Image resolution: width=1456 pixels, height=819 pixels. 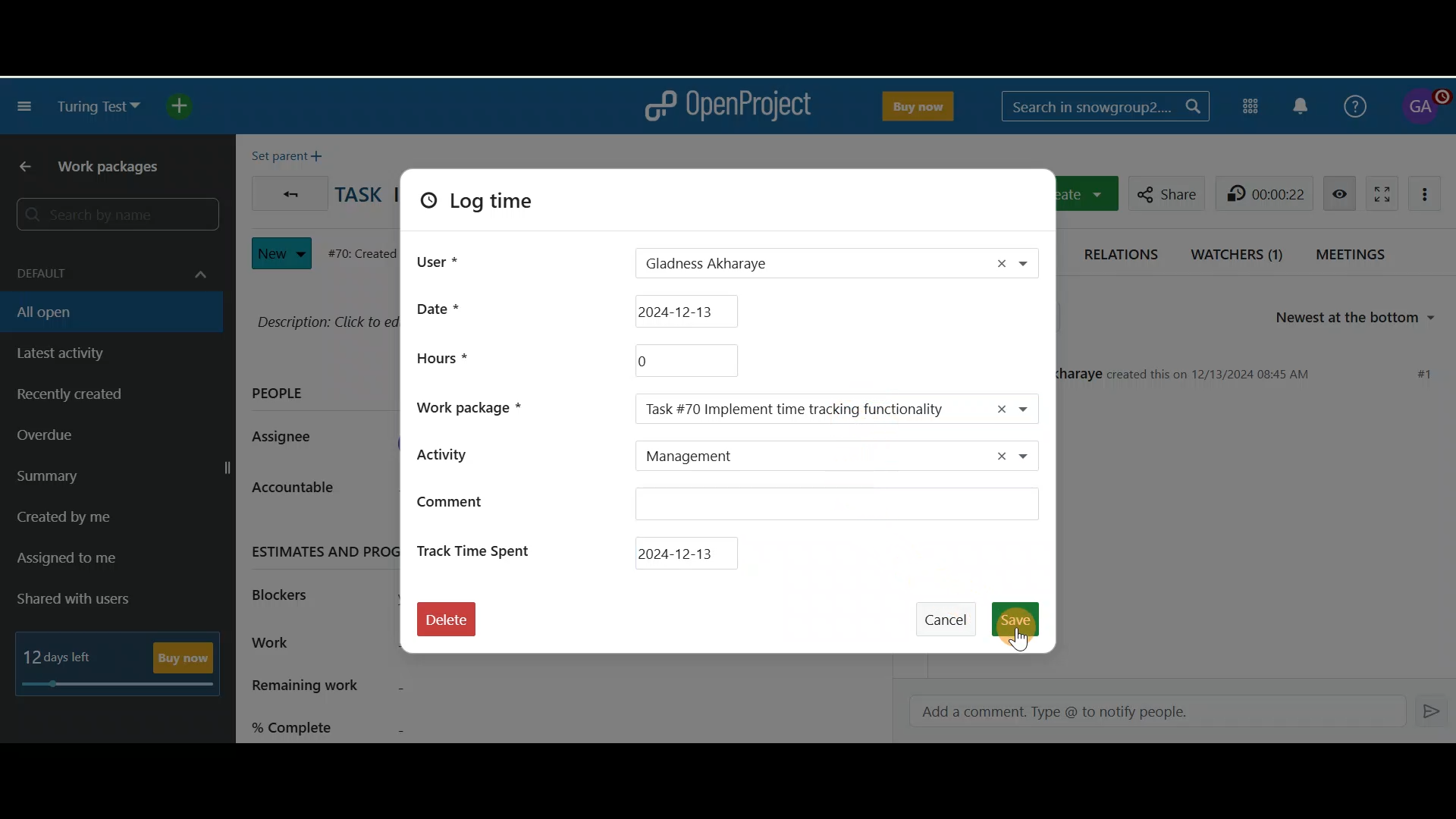 What do you see at coordinates (88, 560) in the screenshot?
I see `Assigned to me` at bounding box center [88, 560].